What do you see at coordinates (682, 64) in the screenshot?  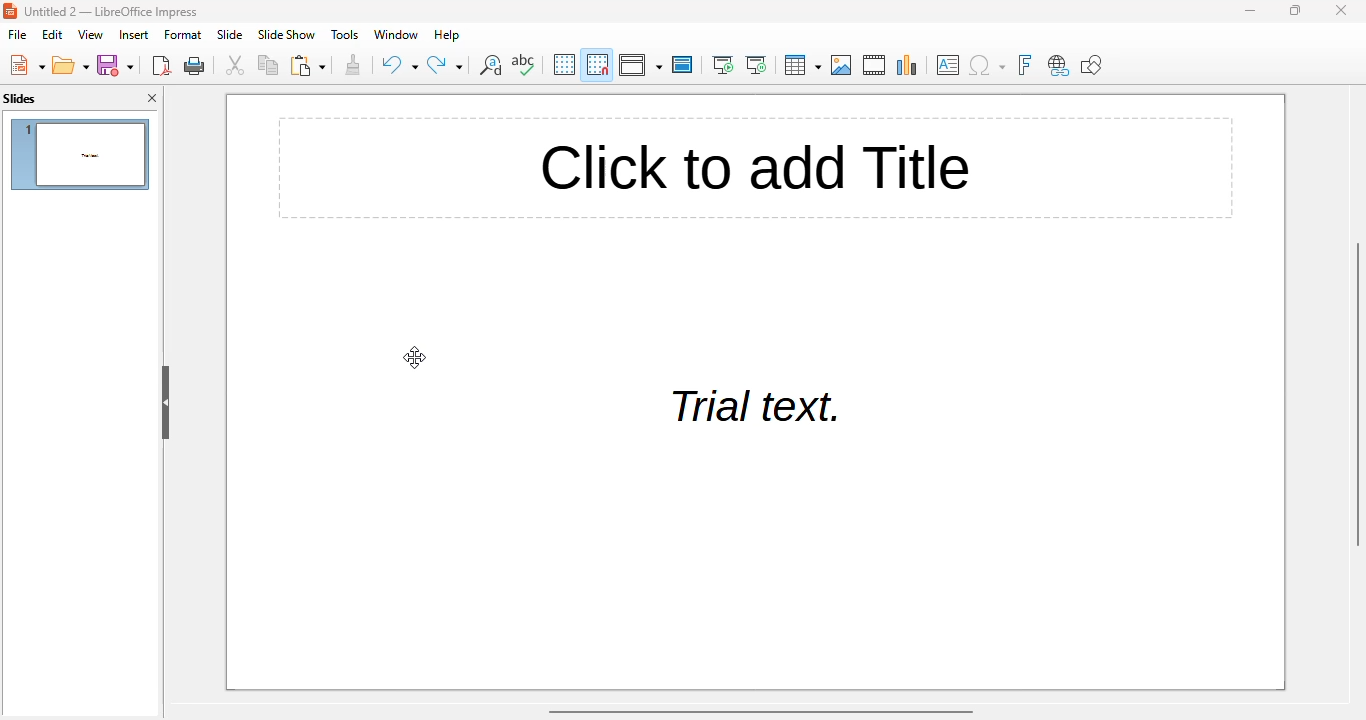 I see `master slide` at bounding box center [682, 64].